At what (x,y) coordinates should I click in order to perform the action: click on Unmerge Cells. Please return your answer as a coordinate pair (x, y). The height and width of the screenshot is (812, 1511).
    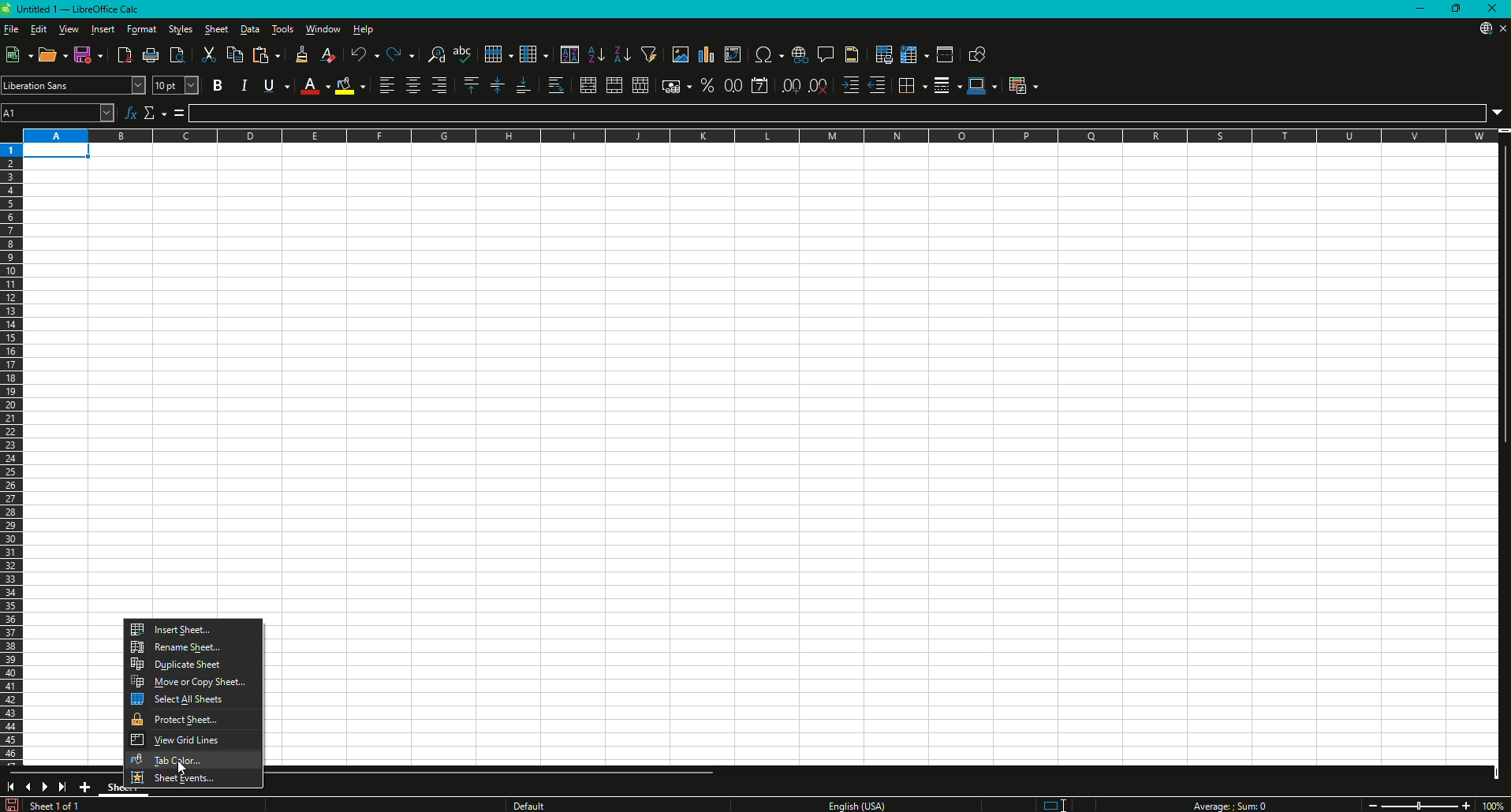
    Looking at the image, I should click on (640, 85).